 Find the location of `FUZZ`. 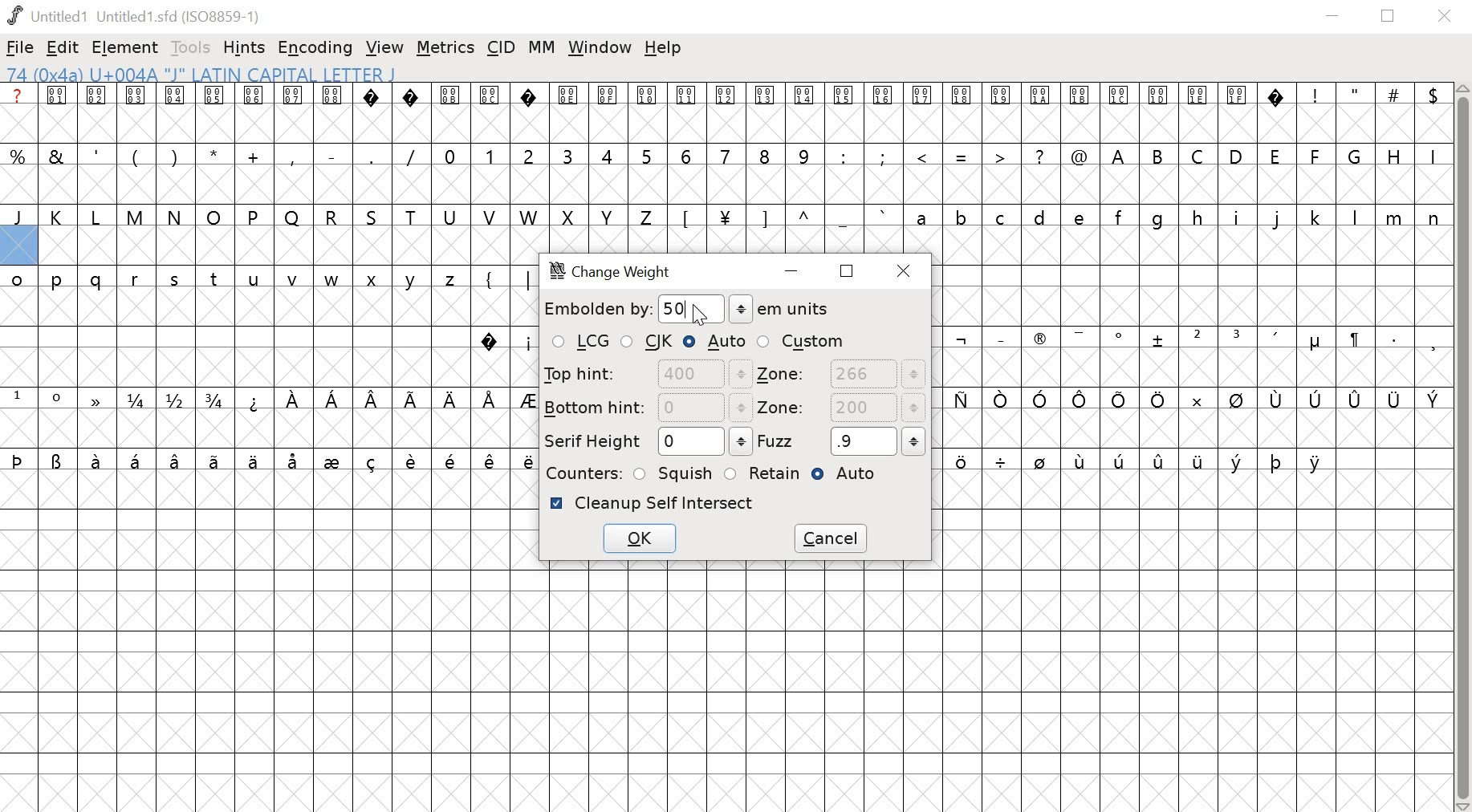

FUZZ is located at coordinates (842, 441).